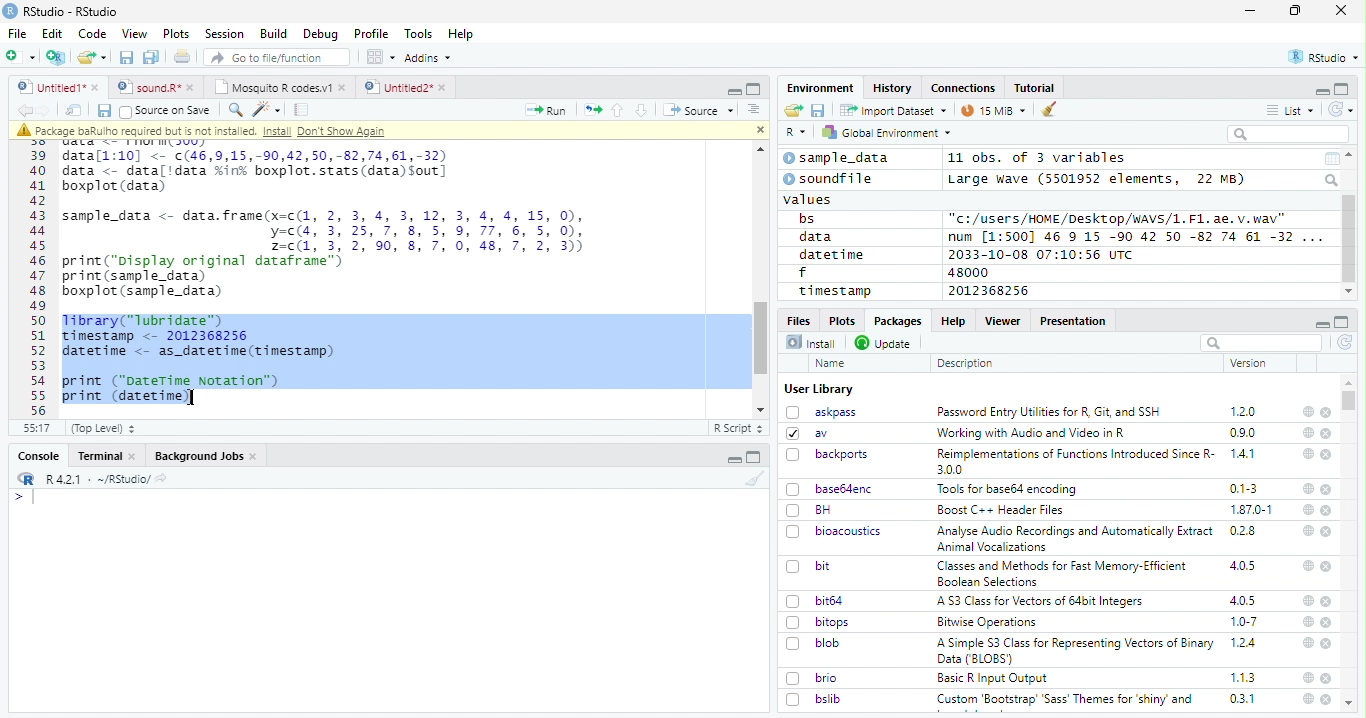 The height and width of the screenshot is (718, 1366). Describe the element at coordinates (1295, 11) in the screenshot. I see `maximize` at that location.